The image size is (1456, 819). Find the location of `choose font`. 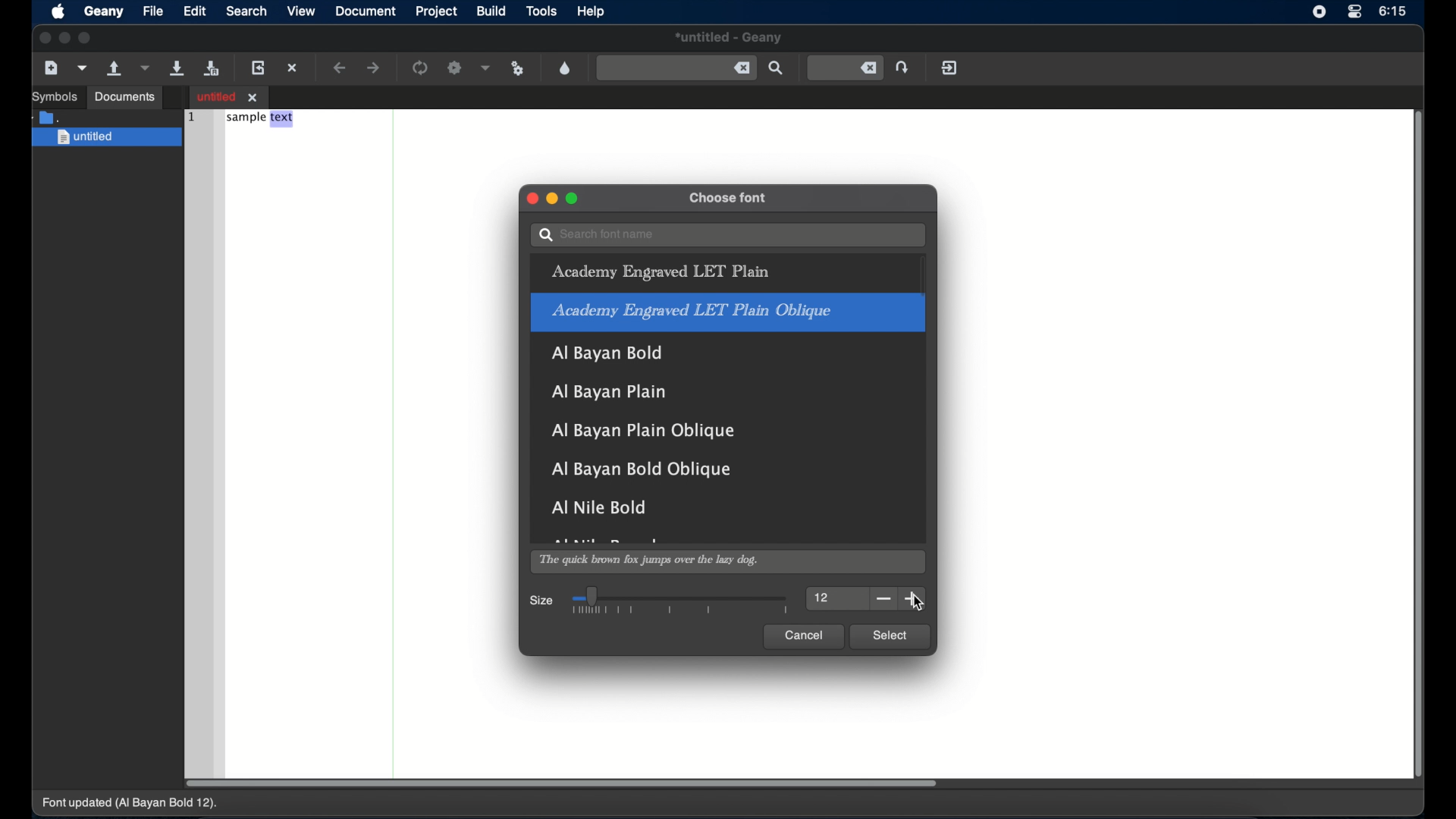

choose font is located at coordinates (730, 199).